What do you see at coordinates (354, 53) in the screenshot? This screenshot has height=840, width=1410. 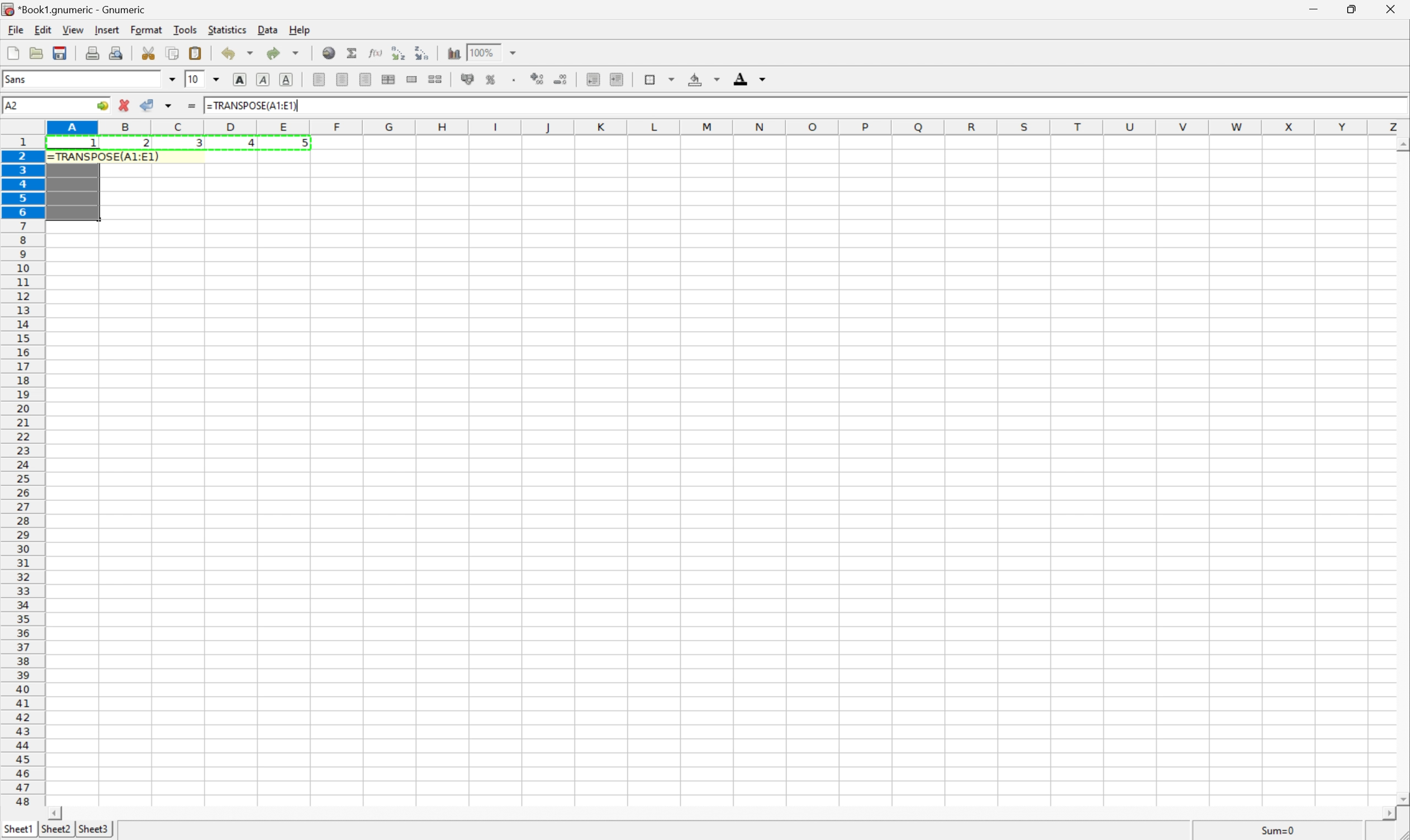 I see `sum in current cell` at bounding box center [354, 53].